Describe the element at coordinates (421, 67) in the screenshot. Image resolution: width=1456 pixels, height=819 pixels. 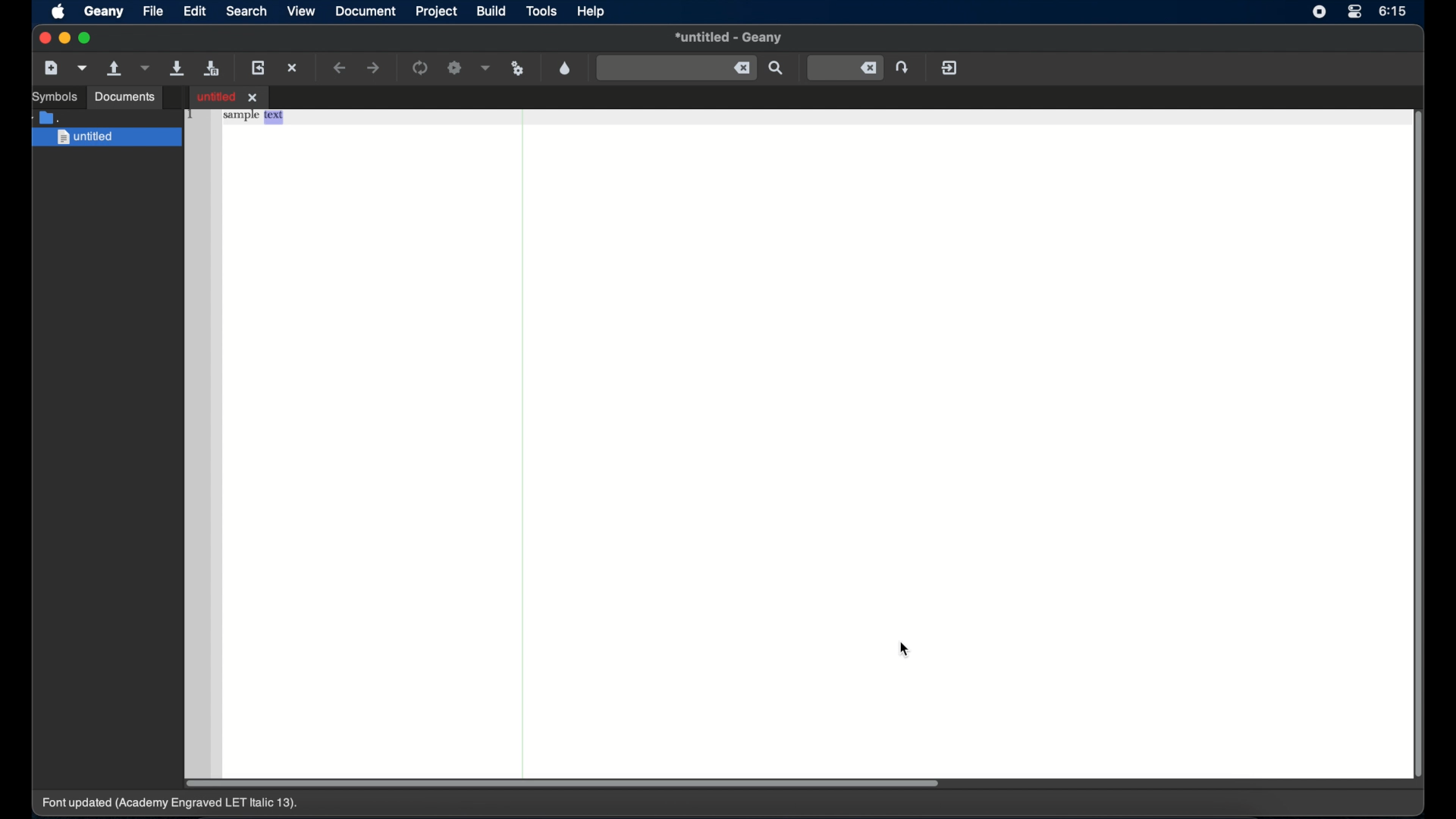
I see `compile the current file` at that location.